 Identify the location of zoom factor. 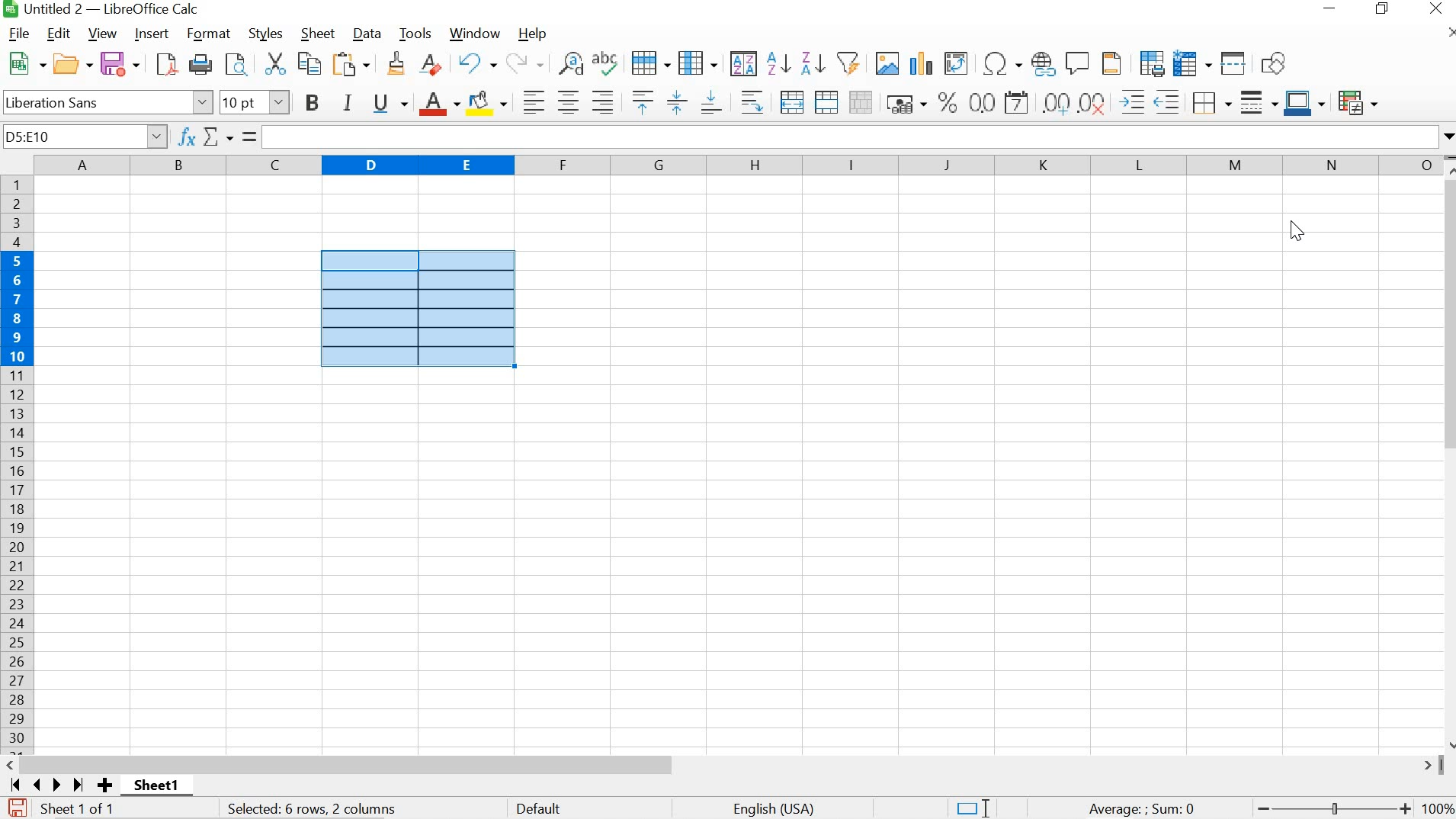
(1438, 810).